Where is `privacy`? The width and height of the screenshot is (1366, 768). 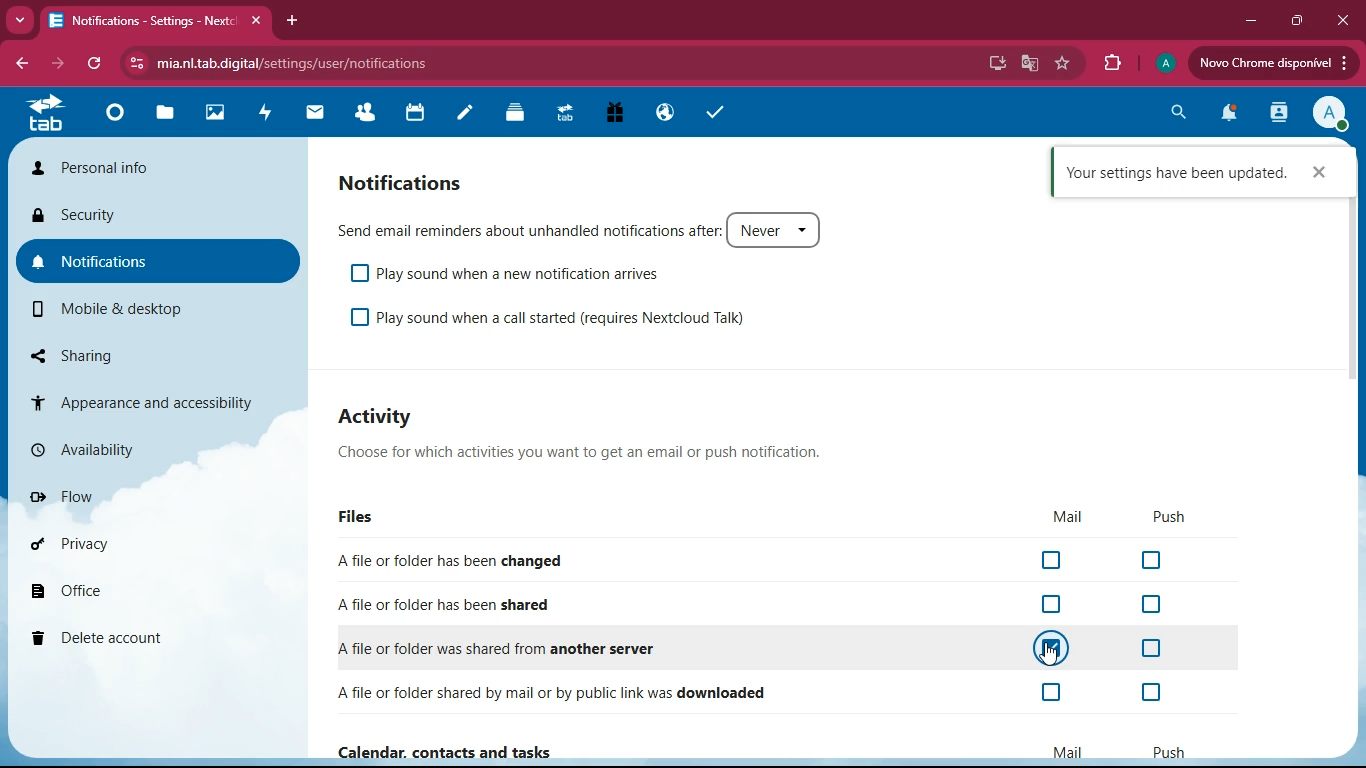 privacy is located at coordinates (126, 549).